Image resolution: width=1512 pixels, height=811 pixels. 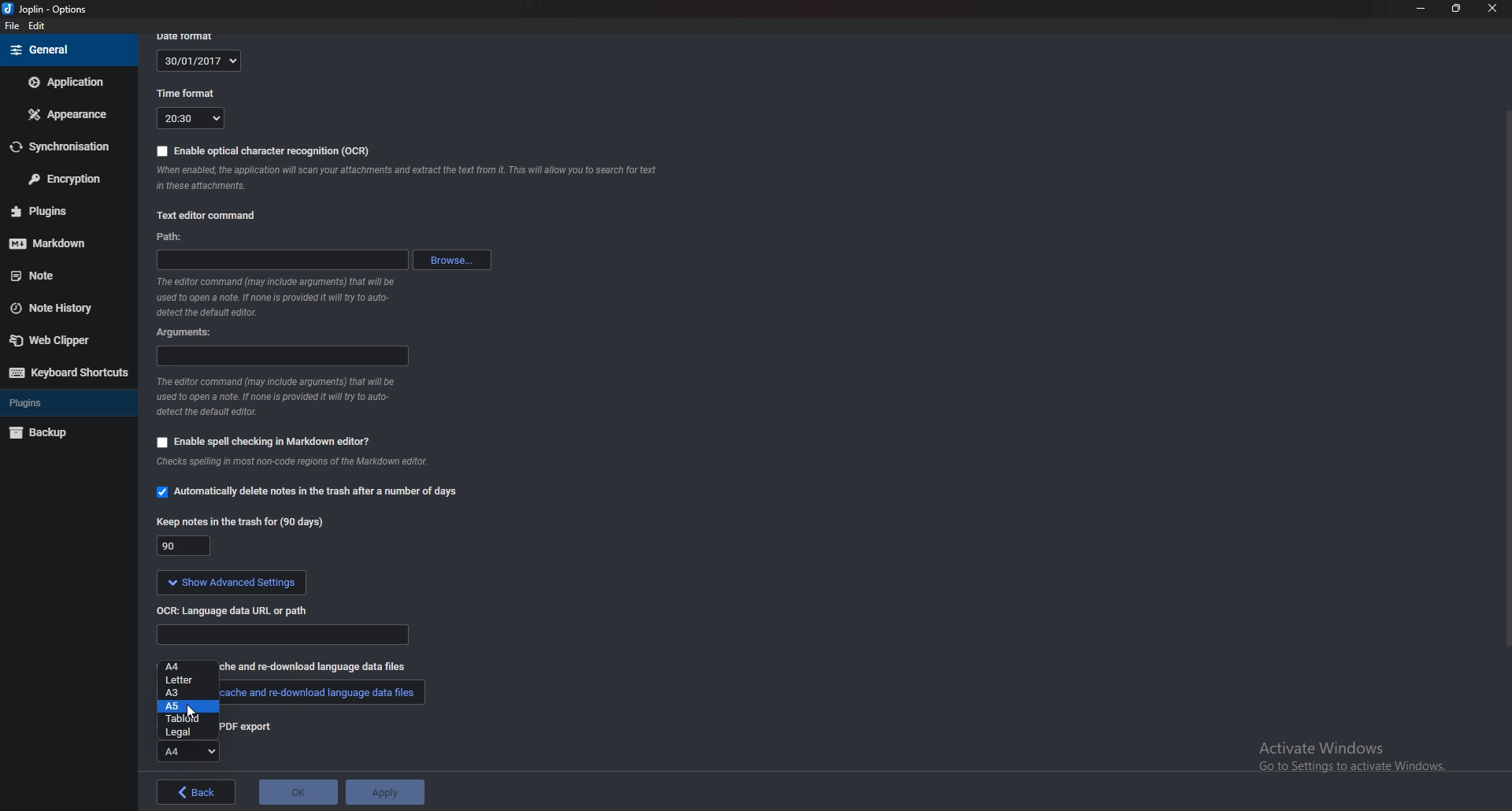 I want to click on re-download language data files, so click(x=336, y=667).